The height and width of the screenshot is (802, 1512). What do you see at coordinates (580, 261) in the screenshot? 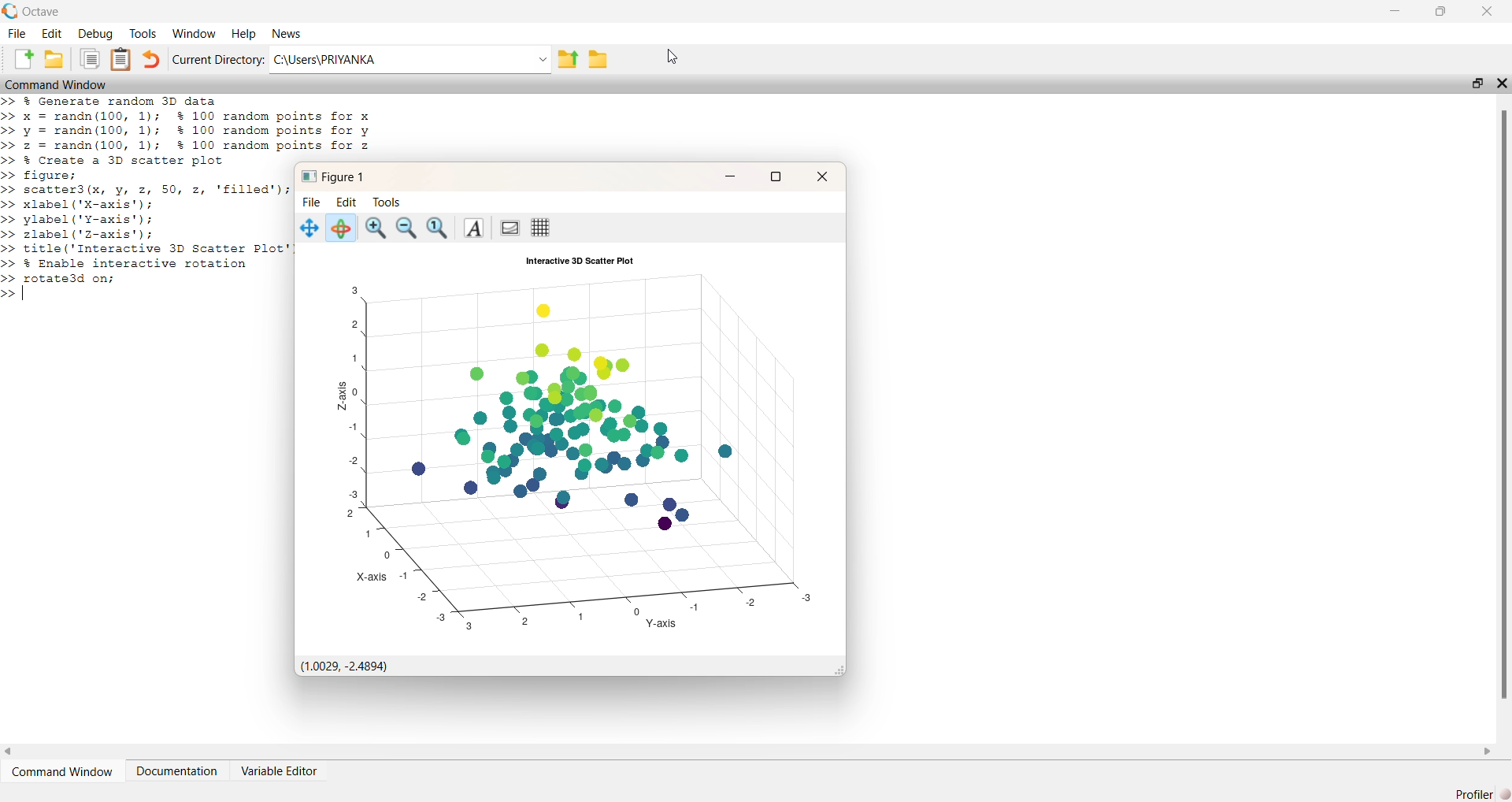
I see `Interactive 3D Scatter Plot` at bounding box center [580, 261].